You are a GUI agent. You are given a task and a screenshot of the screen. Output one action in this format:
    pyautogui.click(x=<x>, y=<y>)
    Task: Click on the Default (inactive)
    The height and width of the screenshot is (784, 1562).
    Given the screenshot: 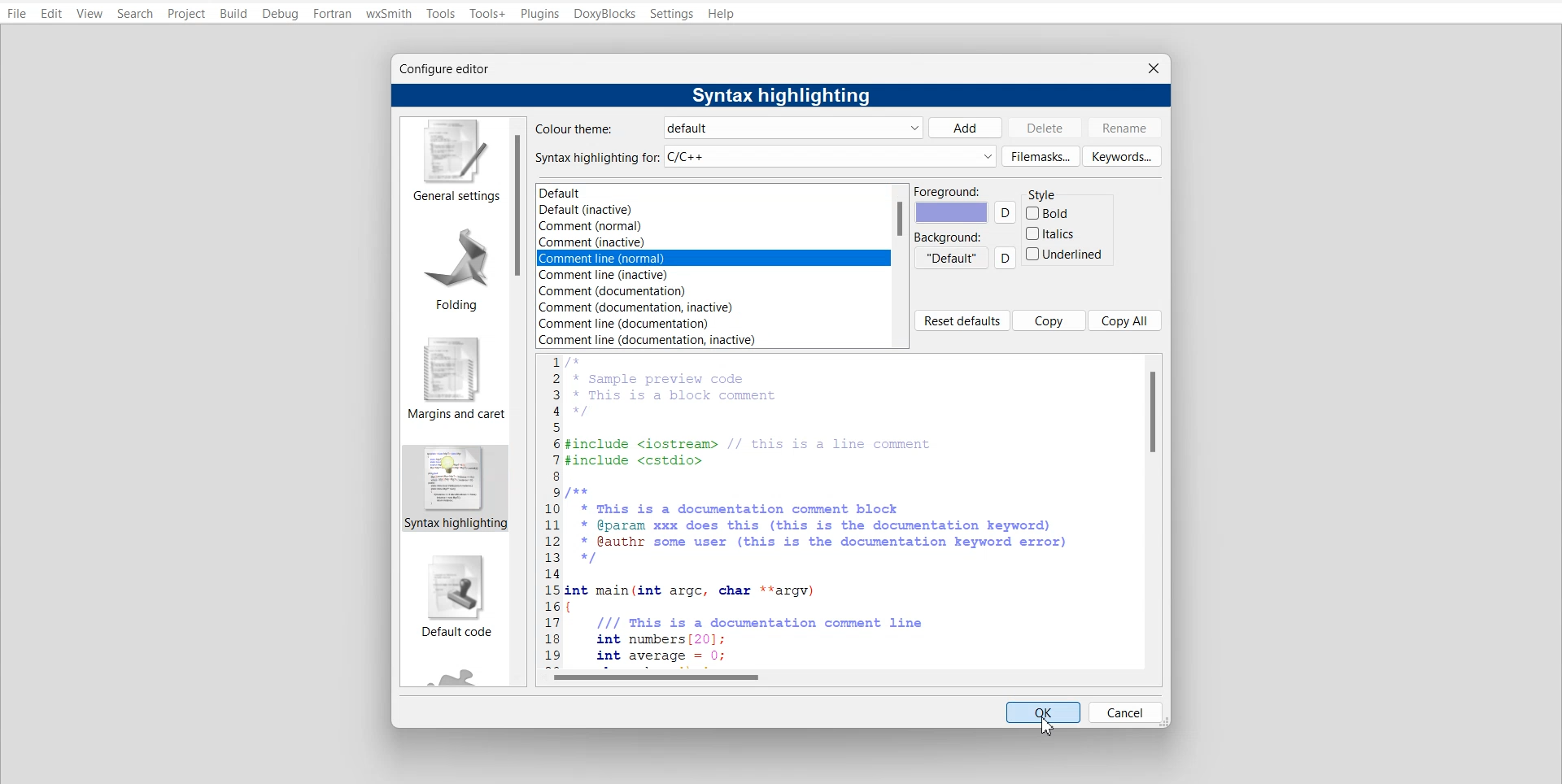 What is the action you would take?
    pyautogui.click(x=648, y=210)
    